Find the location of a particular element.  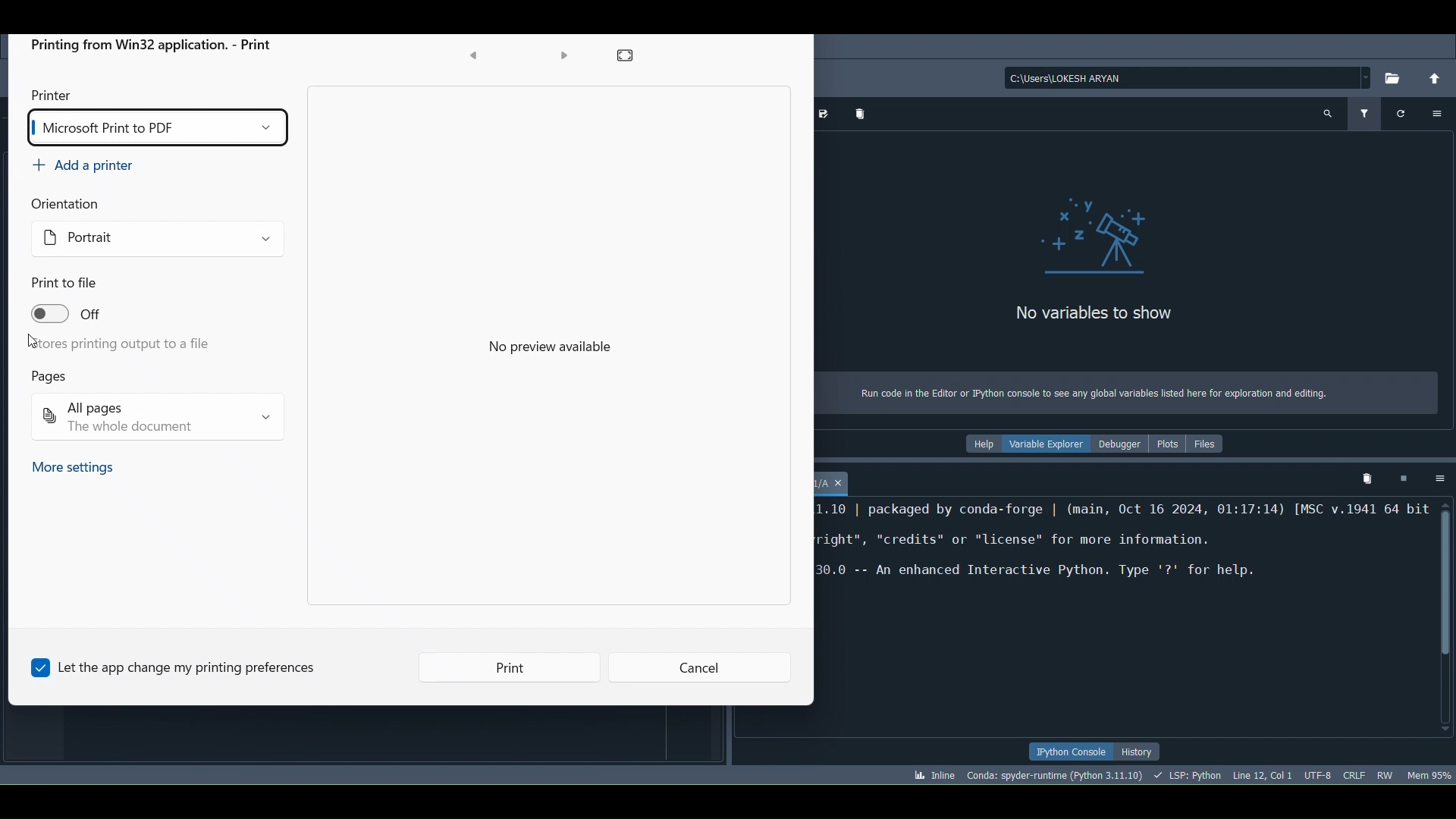

Help is located at coordinates (982, 445).